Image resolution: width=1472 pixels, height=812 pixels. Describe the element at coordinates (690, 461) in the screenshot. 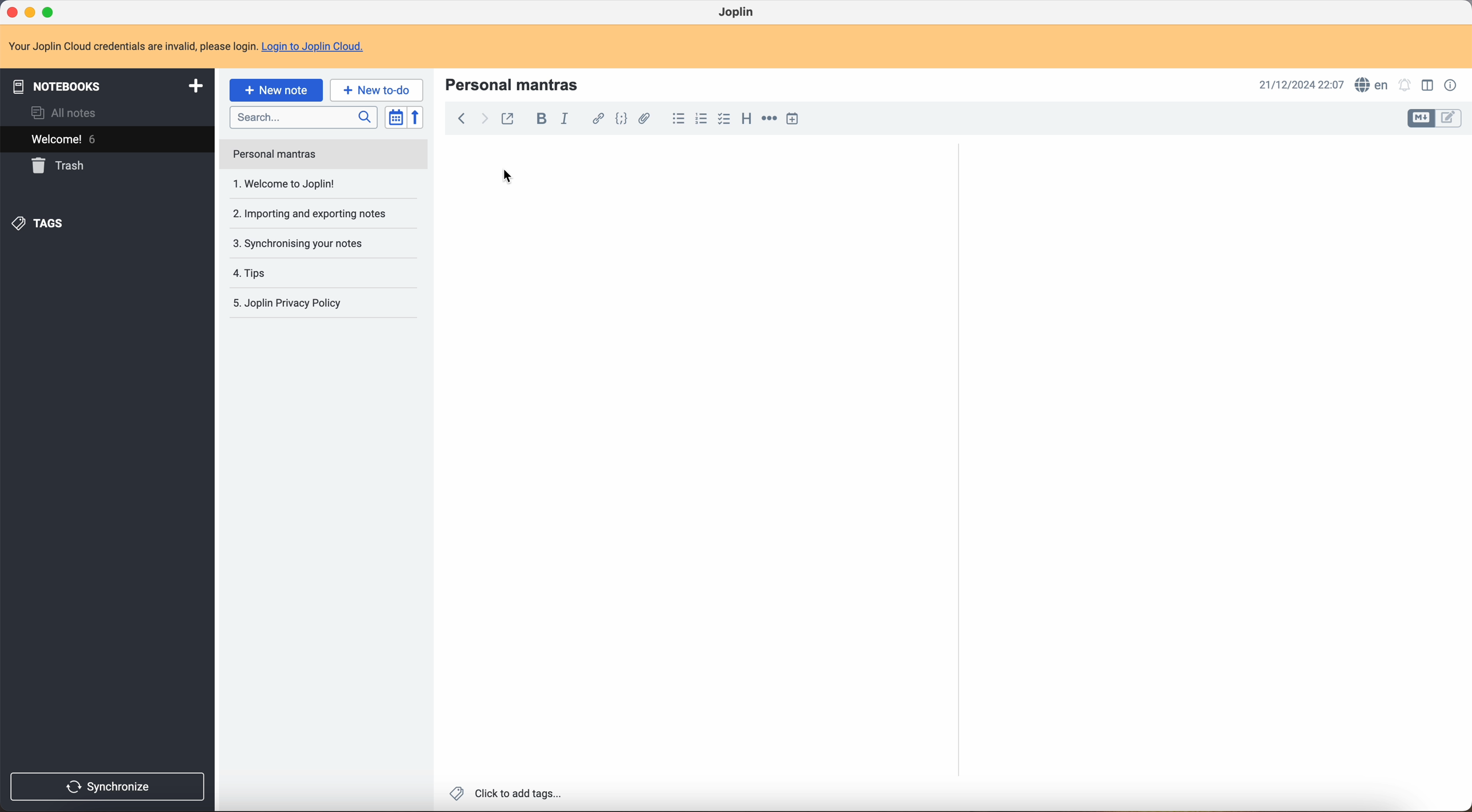

I see `body text` at that location.